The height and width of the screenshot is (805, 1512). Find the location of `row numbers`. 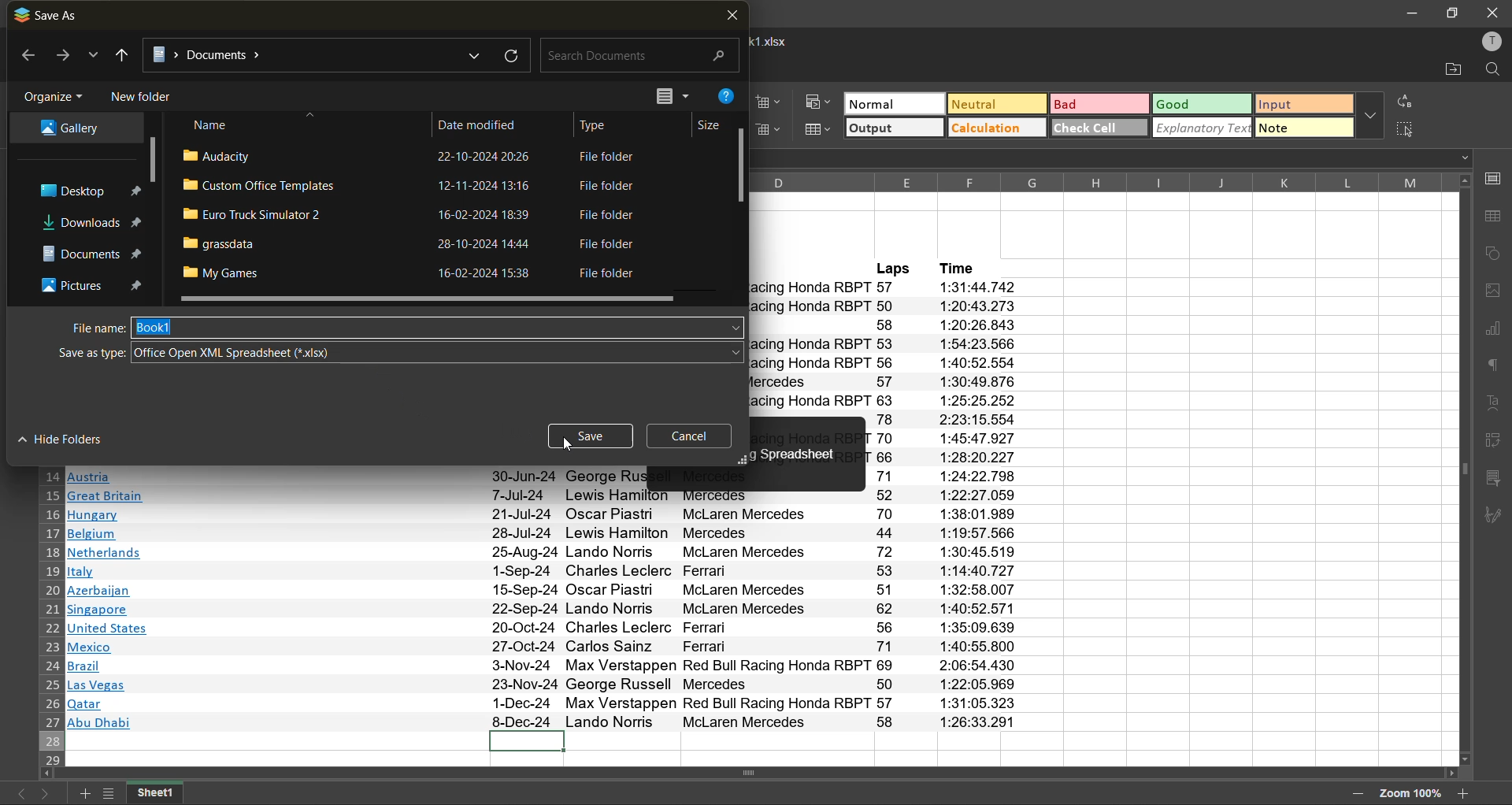

row numbers is located at coordinates (50, 615).